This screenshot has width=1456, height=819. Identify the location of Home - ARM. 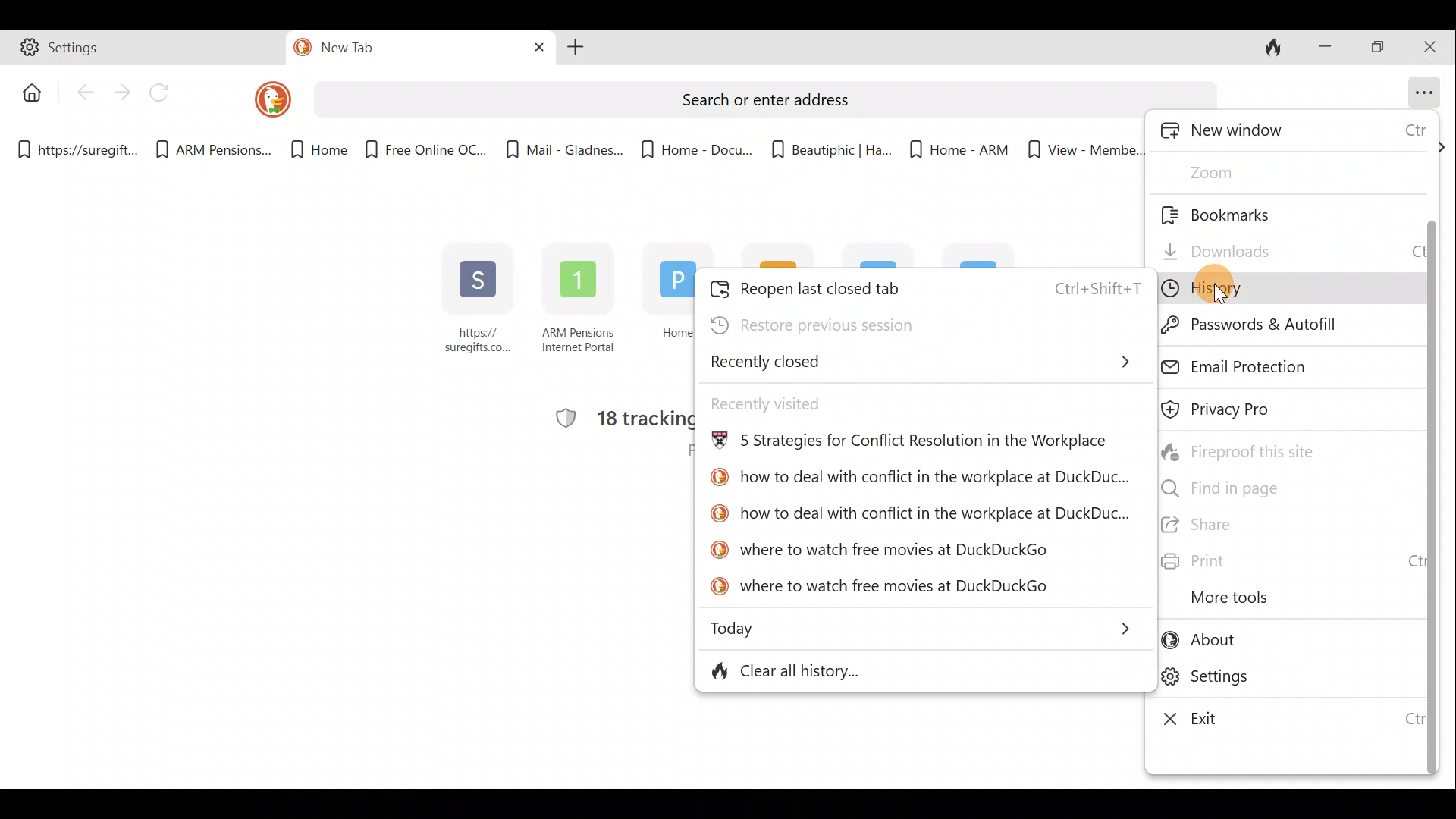
(950, 144).